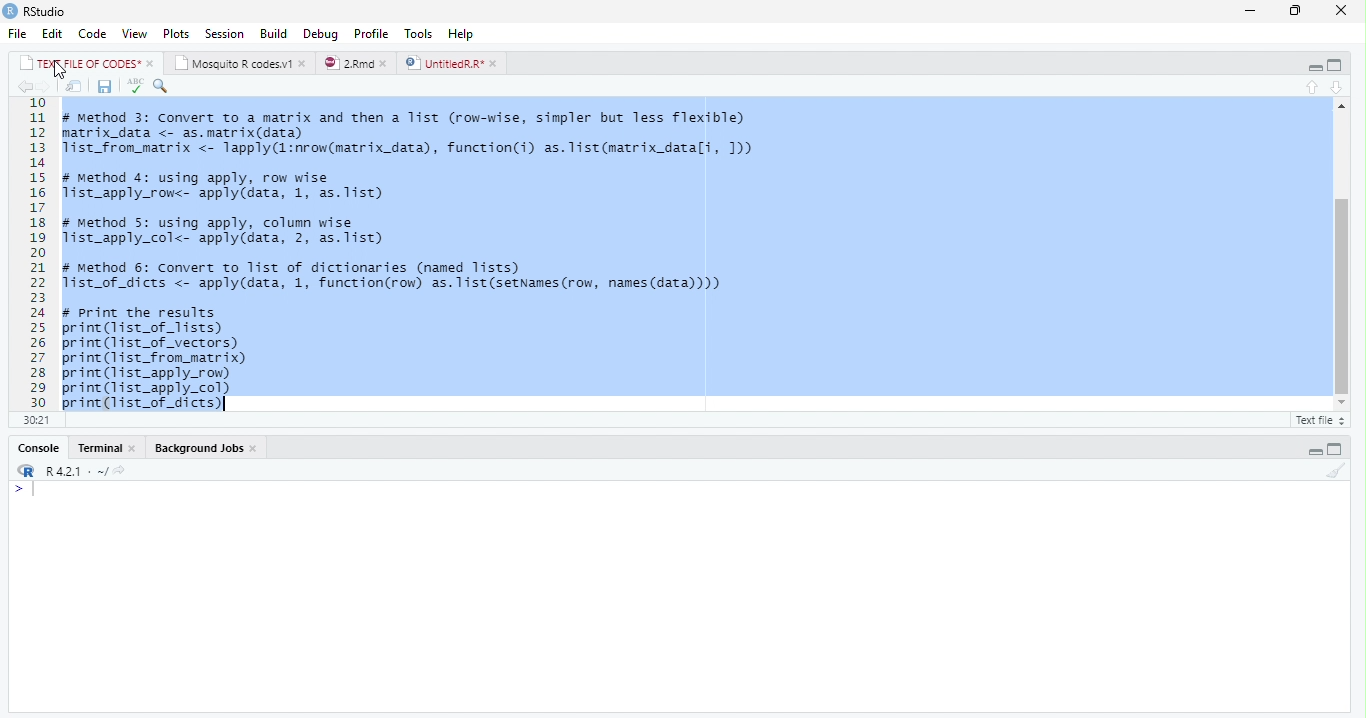  What do you see at coordinates (678, 596) in the screenshot?
I see `Console` at bounding box center [678, 596].